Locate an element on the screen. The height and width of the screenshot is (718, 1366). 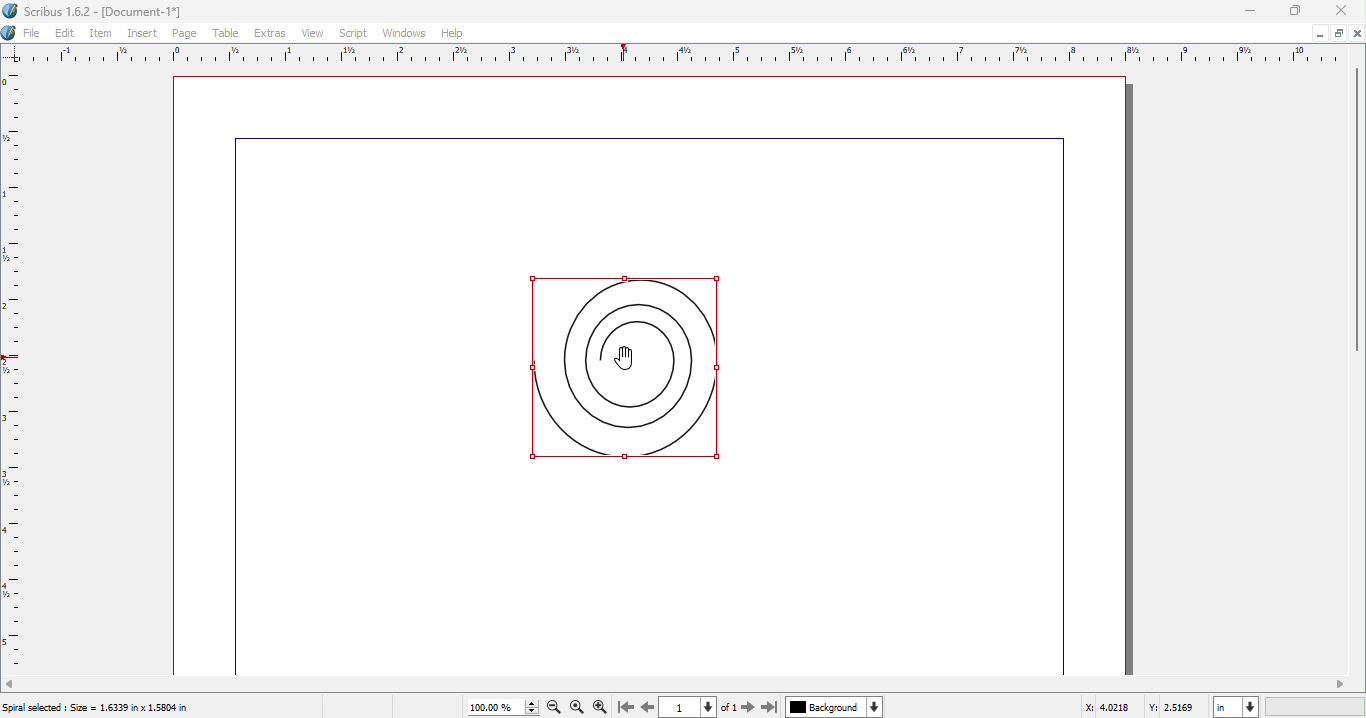
change page is located at coordinates (710, 708).